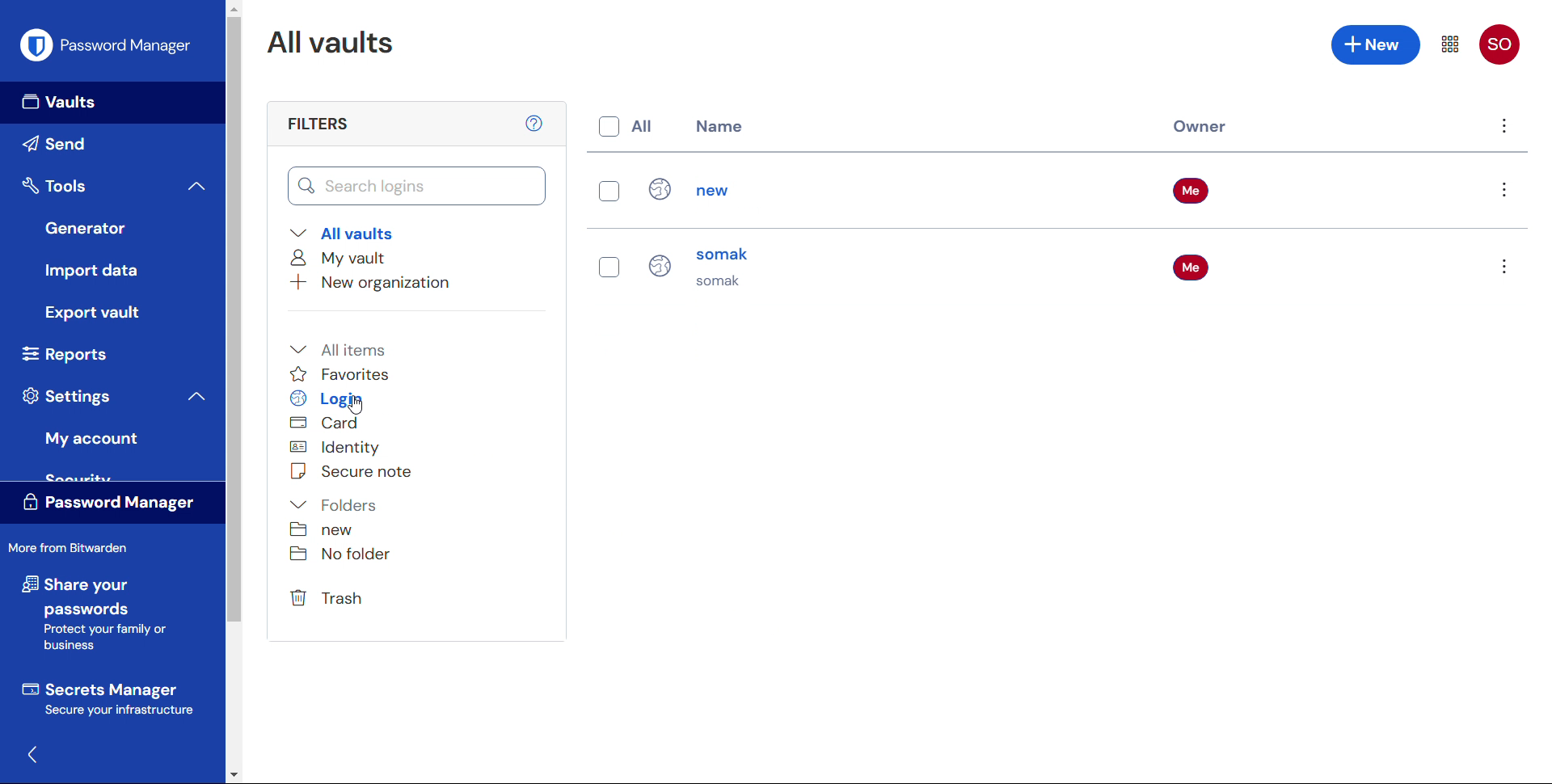  Describe the element at coordinates (659, 263) in the screenshot. I see `Login` at that location.